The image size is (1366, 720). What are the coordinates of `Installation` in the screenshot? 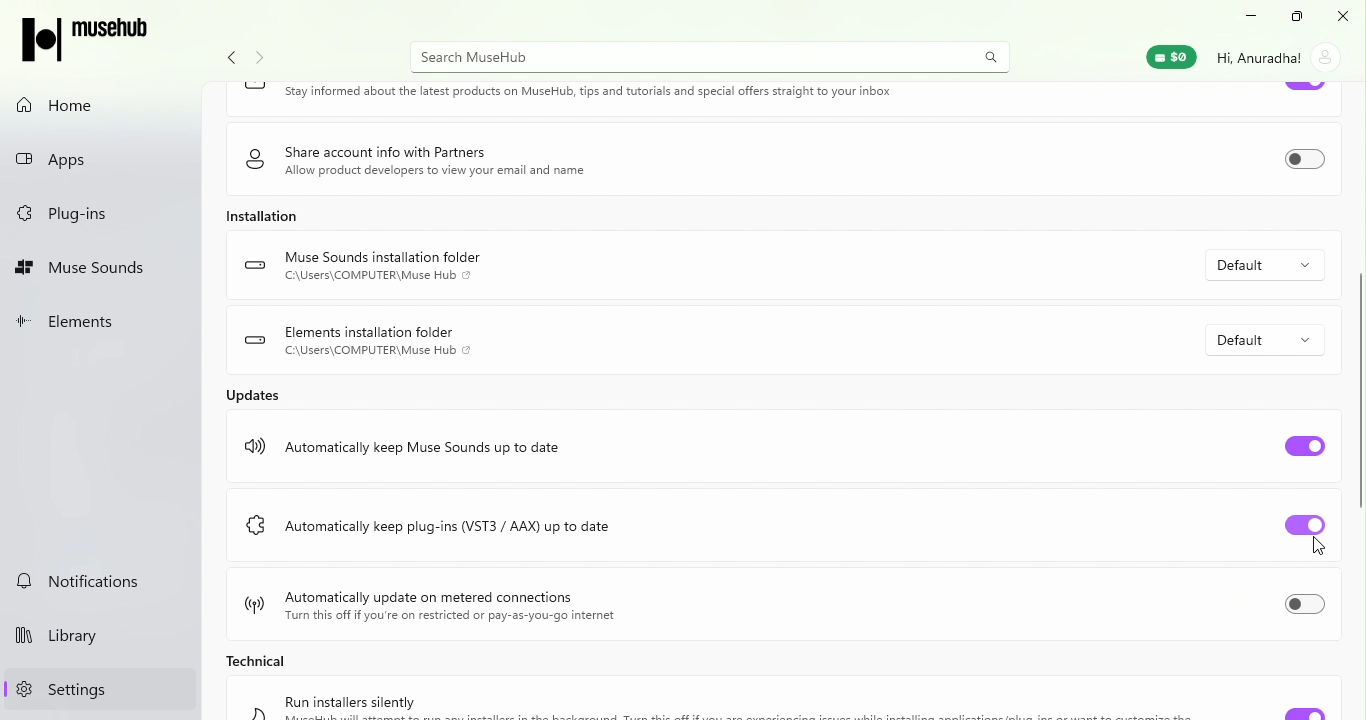 It's located at (262, 215).